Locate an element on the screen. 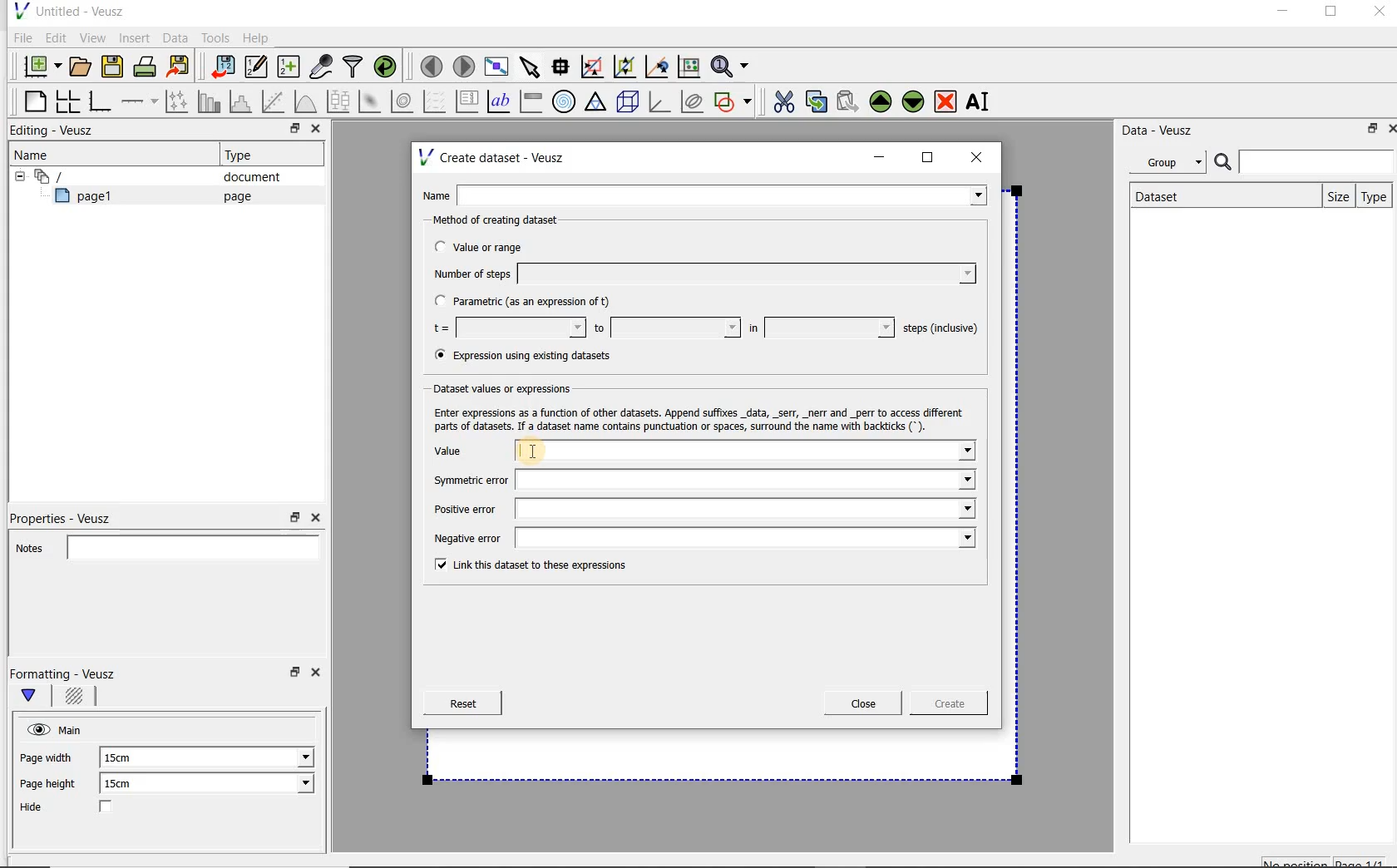 Image resolution: width=1397 pixels, height=868 pixels. click to recenter graph axes is located at coordinates (658, 67).